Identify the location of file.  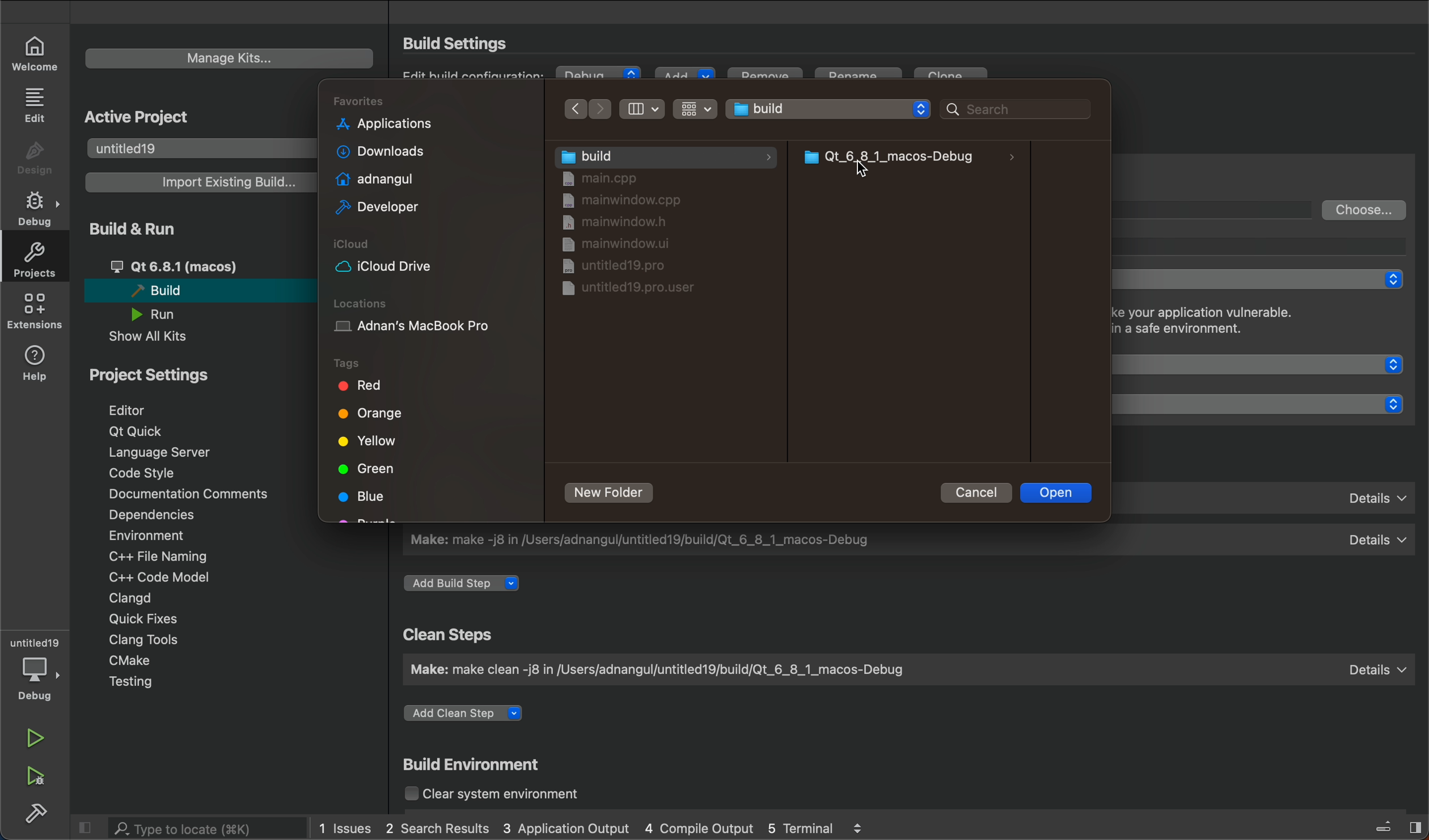
(617, 246).